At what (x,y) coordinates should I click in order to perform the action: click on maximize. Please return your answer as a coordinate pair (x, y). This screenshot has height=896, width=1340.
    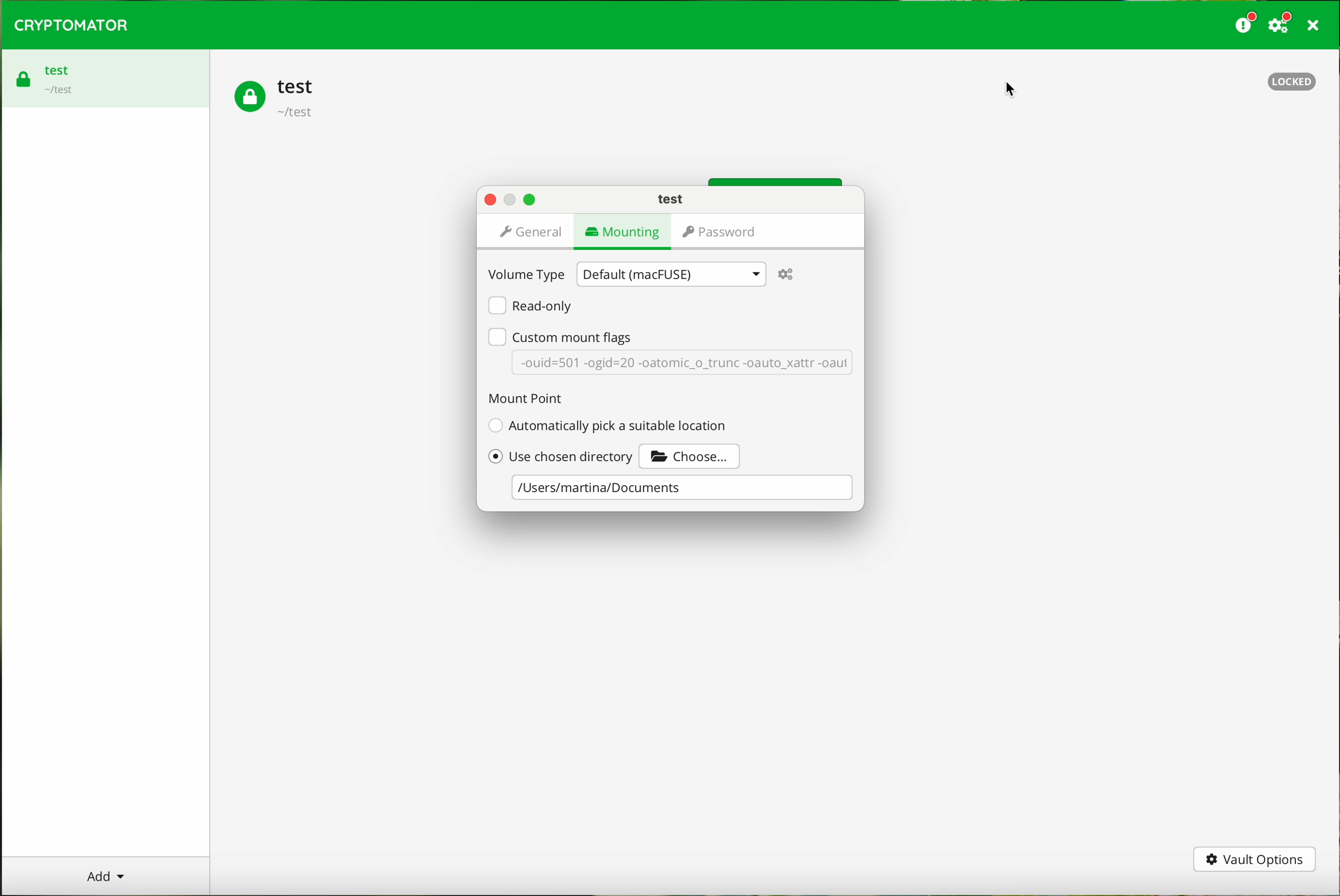
    Looking at the image, I should click on (530, 200).